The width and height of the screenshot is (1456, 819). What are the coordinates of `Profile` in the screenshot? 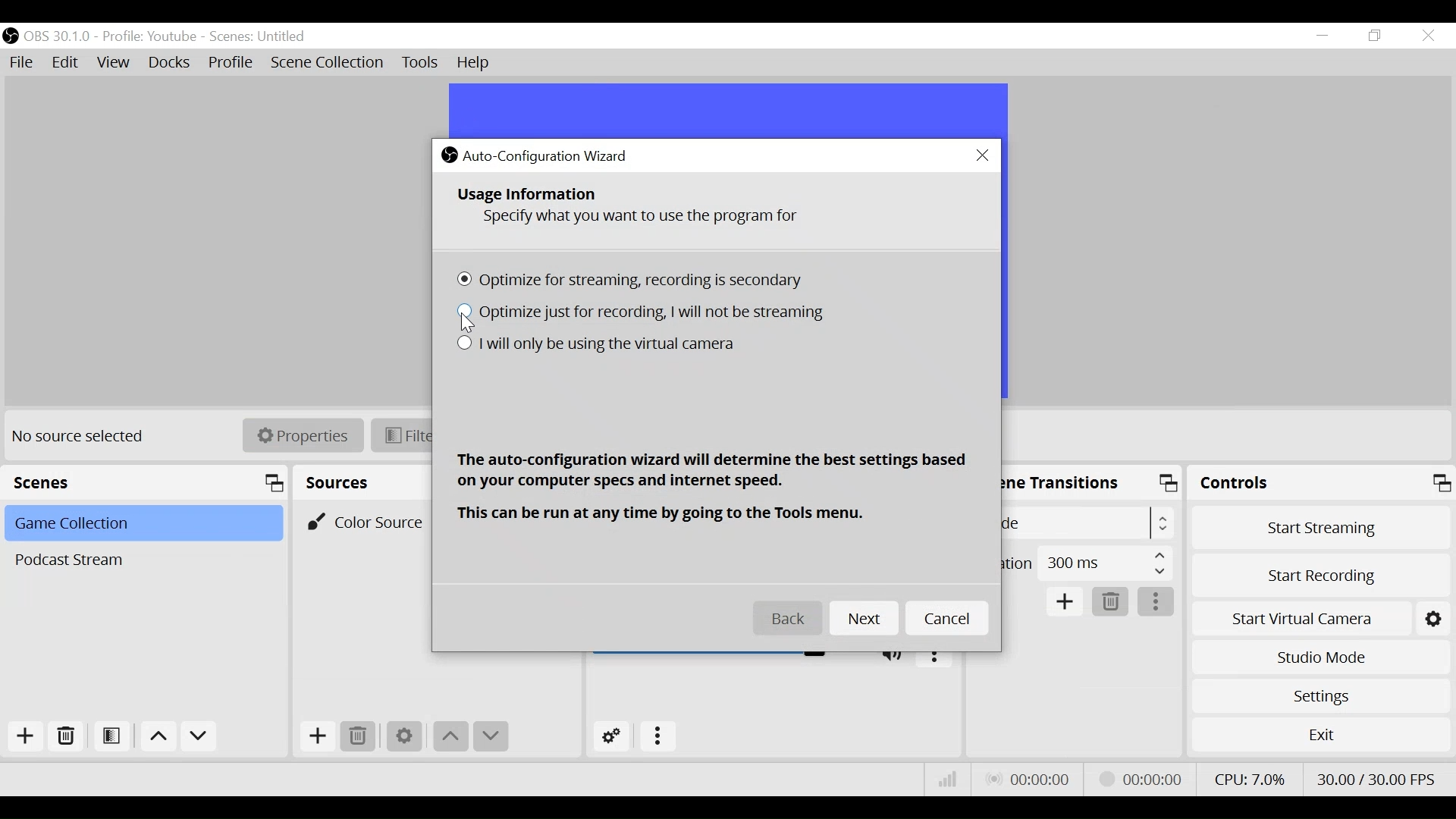 It's located at (231, 62).